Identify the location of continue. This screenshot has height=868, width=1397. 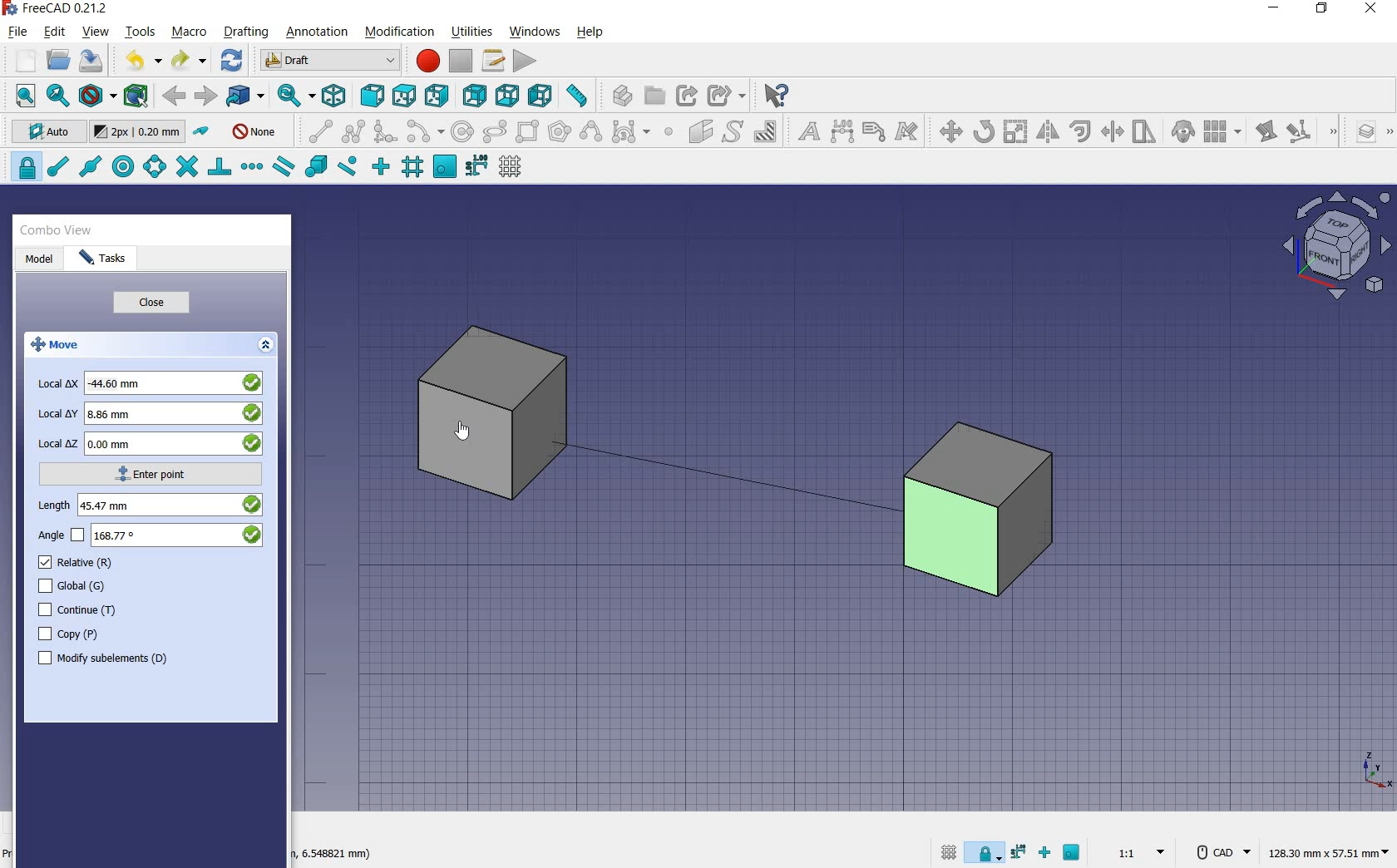
(78, 609).